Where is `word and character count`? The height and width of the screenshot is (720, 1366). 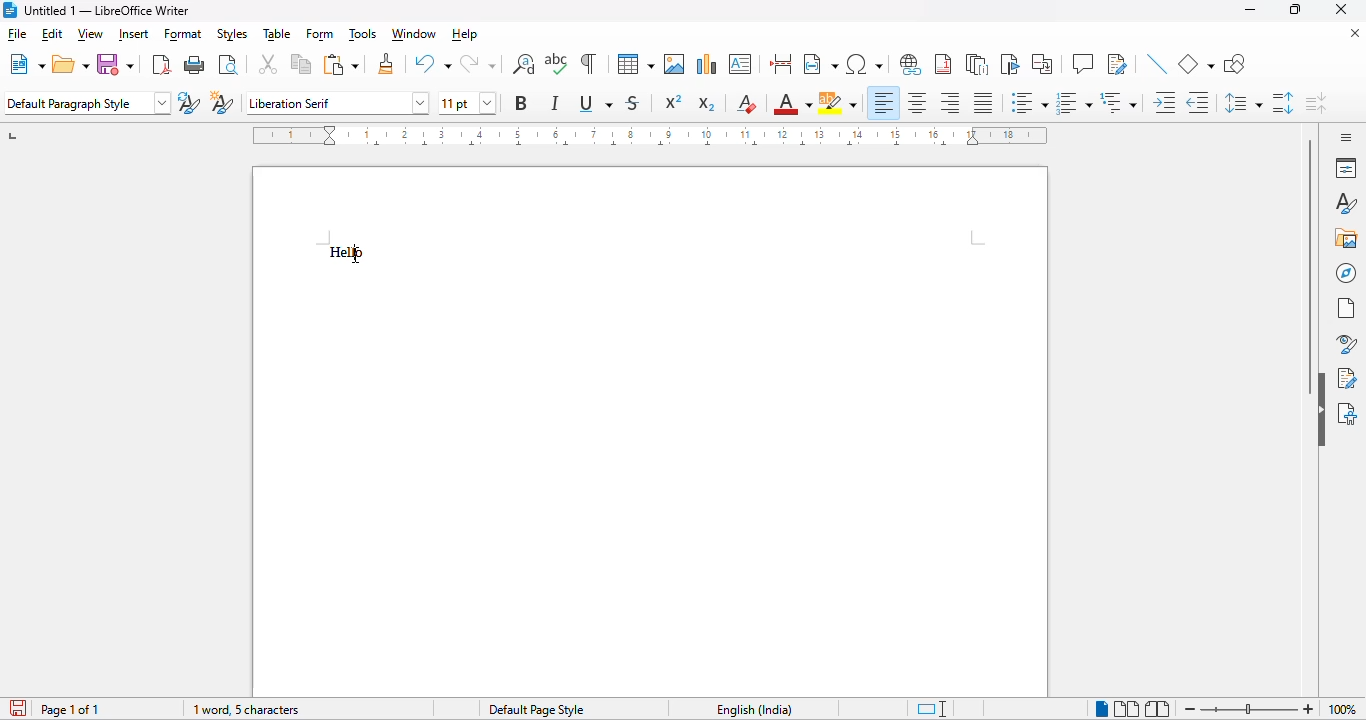 word and character count is located at coordinates (247, 710).